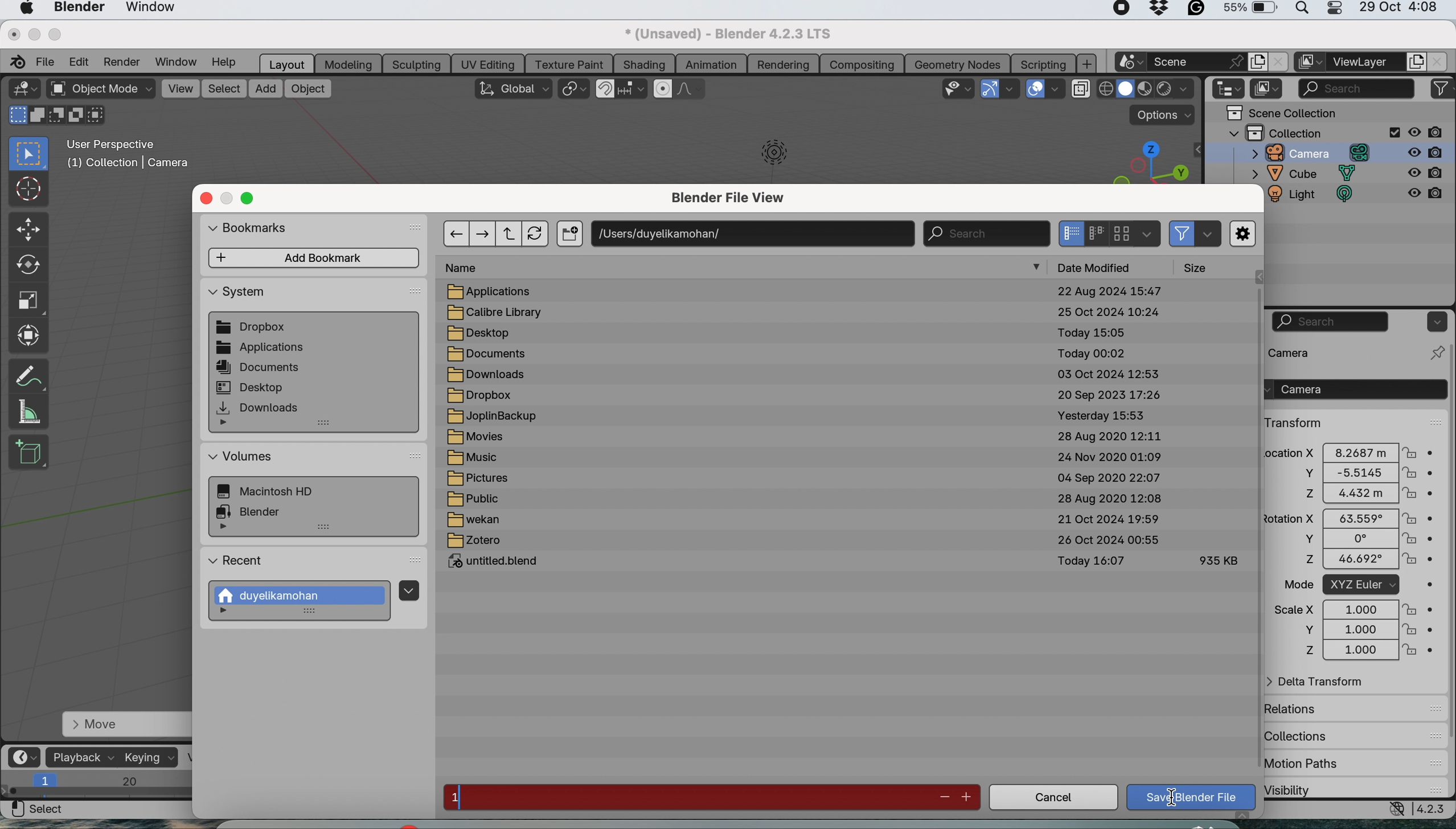 This screenshot has width=1456, height=829. What do you see at coordinates (29, 154) in the screenshot?
I see `select box` at bounding box center [29, 154].